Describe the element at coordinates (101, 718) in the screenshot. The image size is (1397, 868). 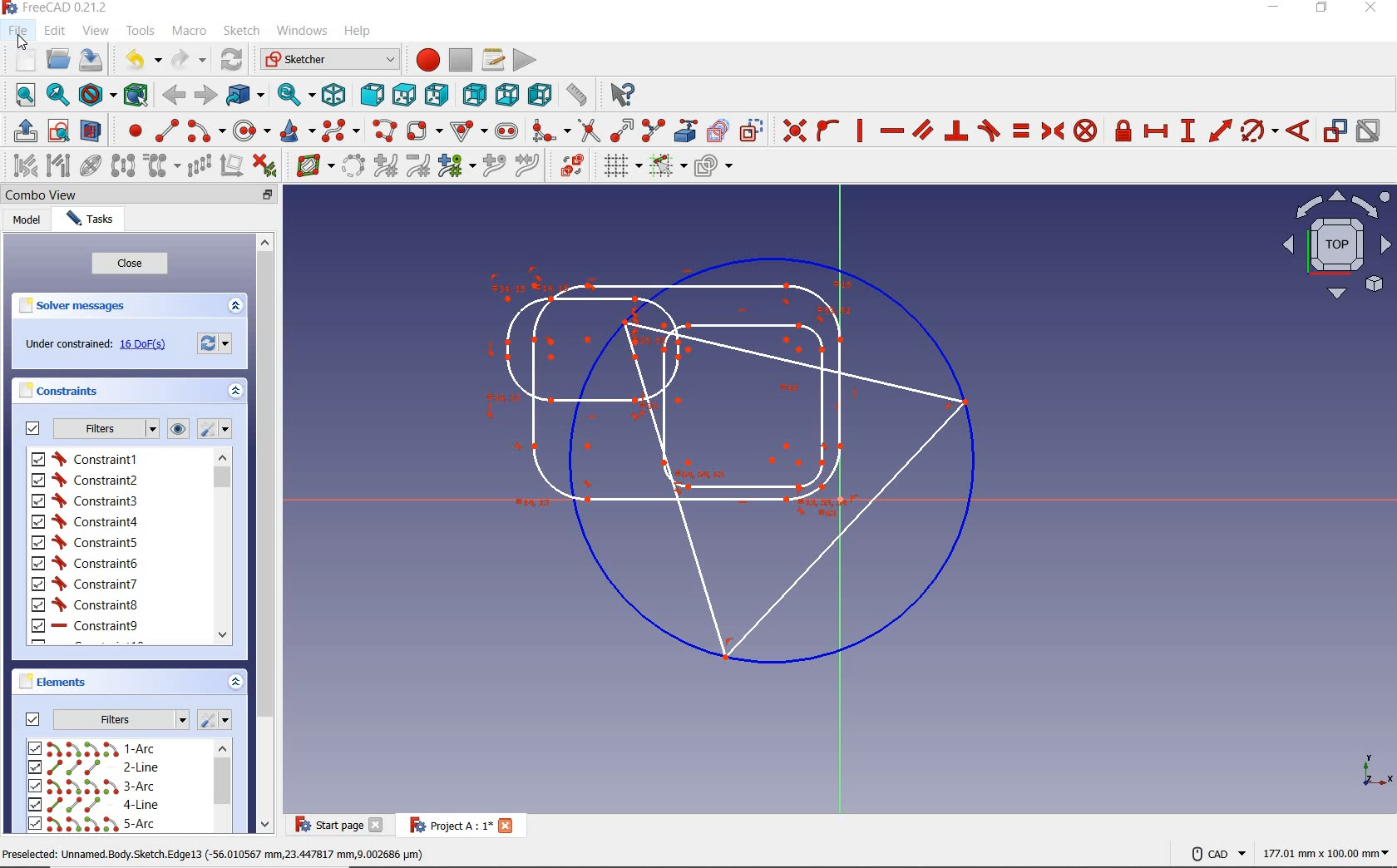
I see `filters` at that location.